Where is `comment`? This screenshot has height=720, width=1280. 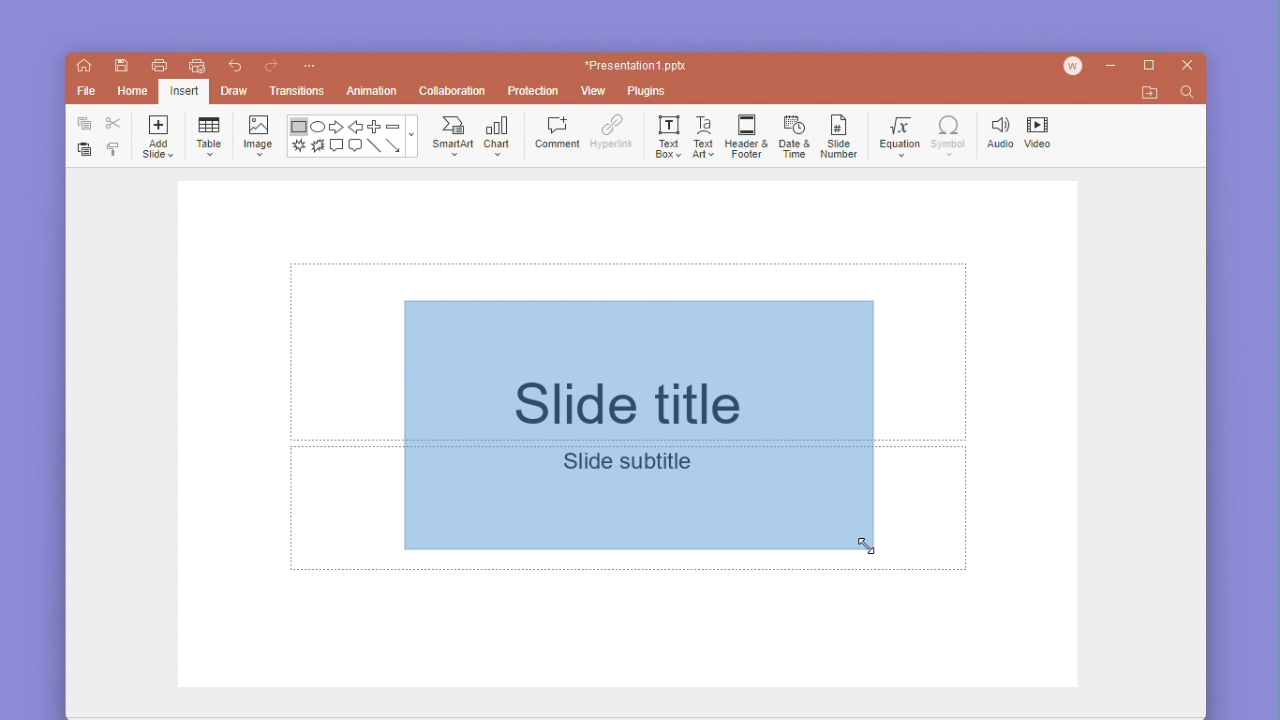
comment is located at coordinates (557, 132).